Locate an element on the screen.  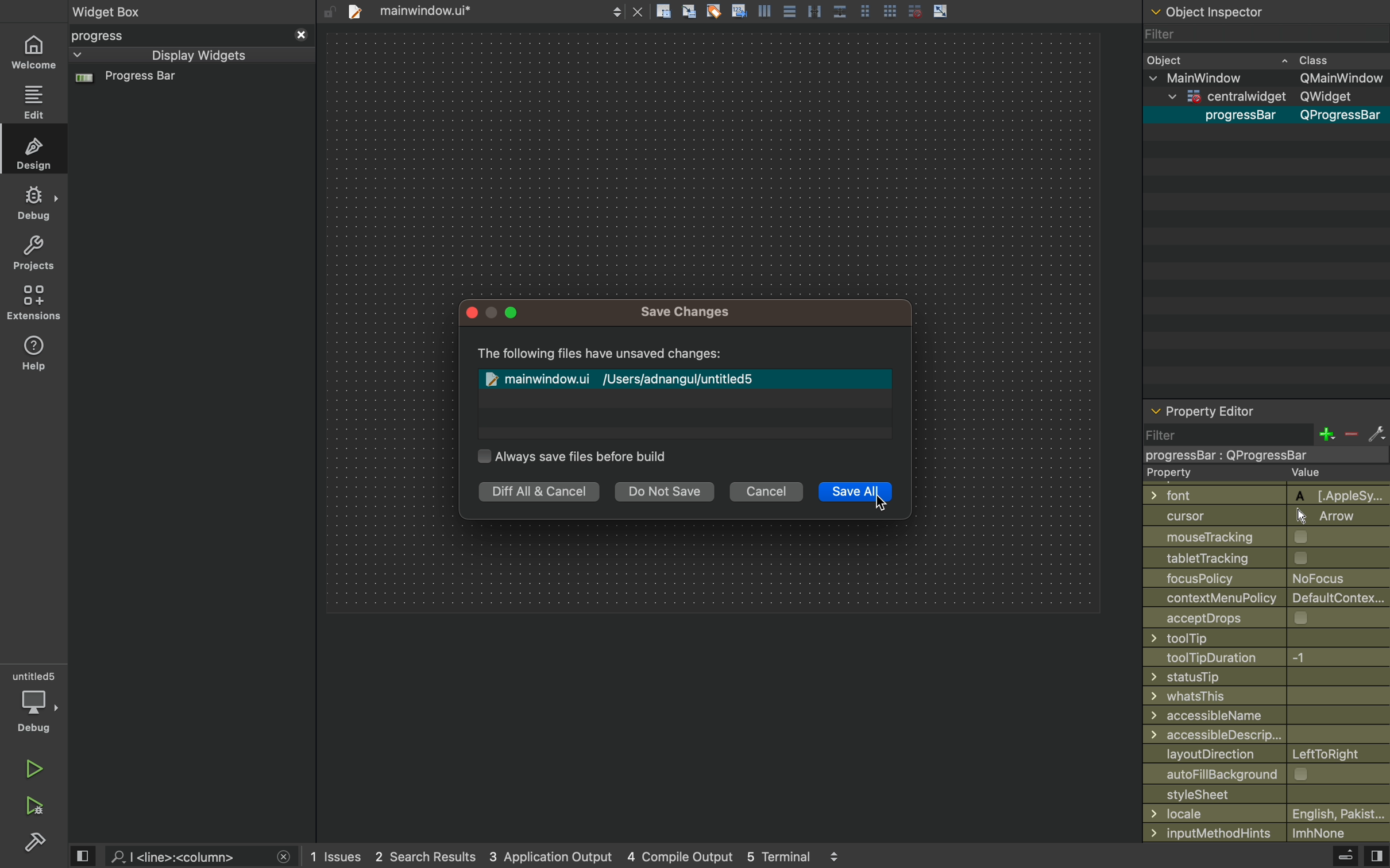
QProgressBar is located at coordinates (1342, 116).